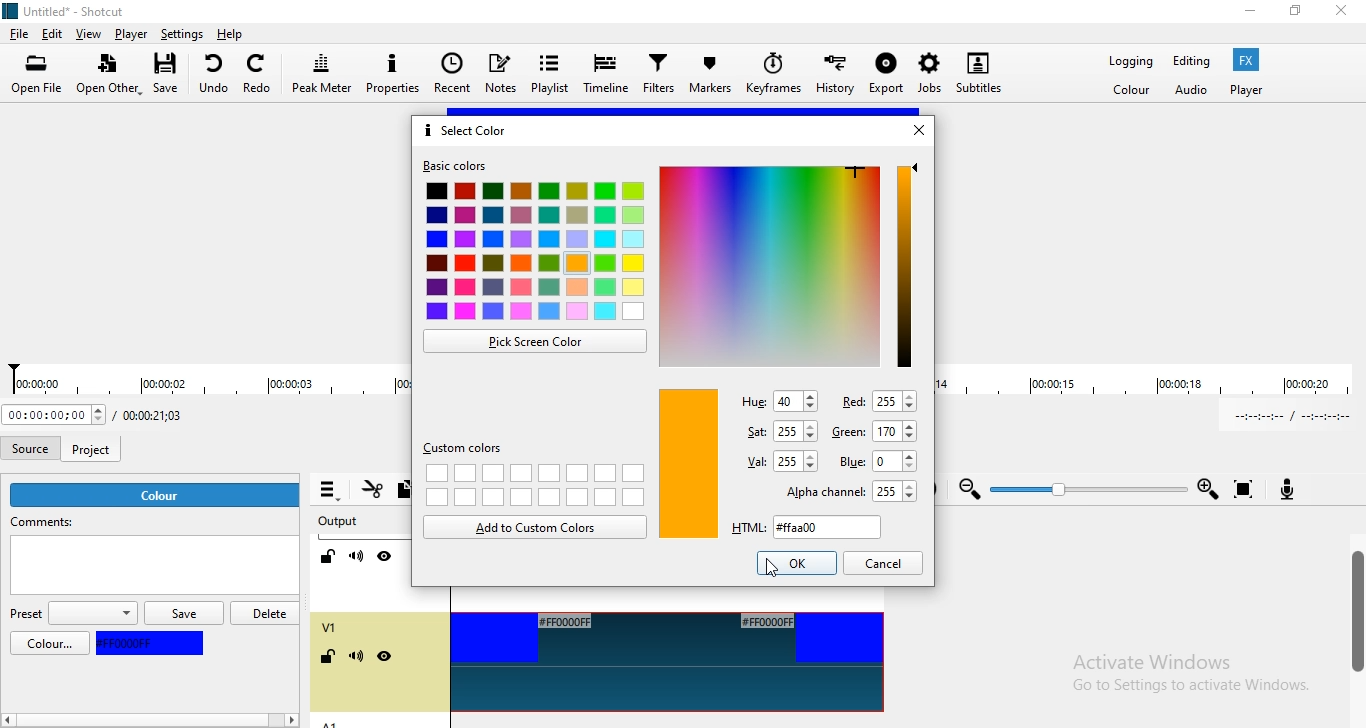  Describe the element at coordinates (72, 614) in the screenshot. I see `preset` at that location.